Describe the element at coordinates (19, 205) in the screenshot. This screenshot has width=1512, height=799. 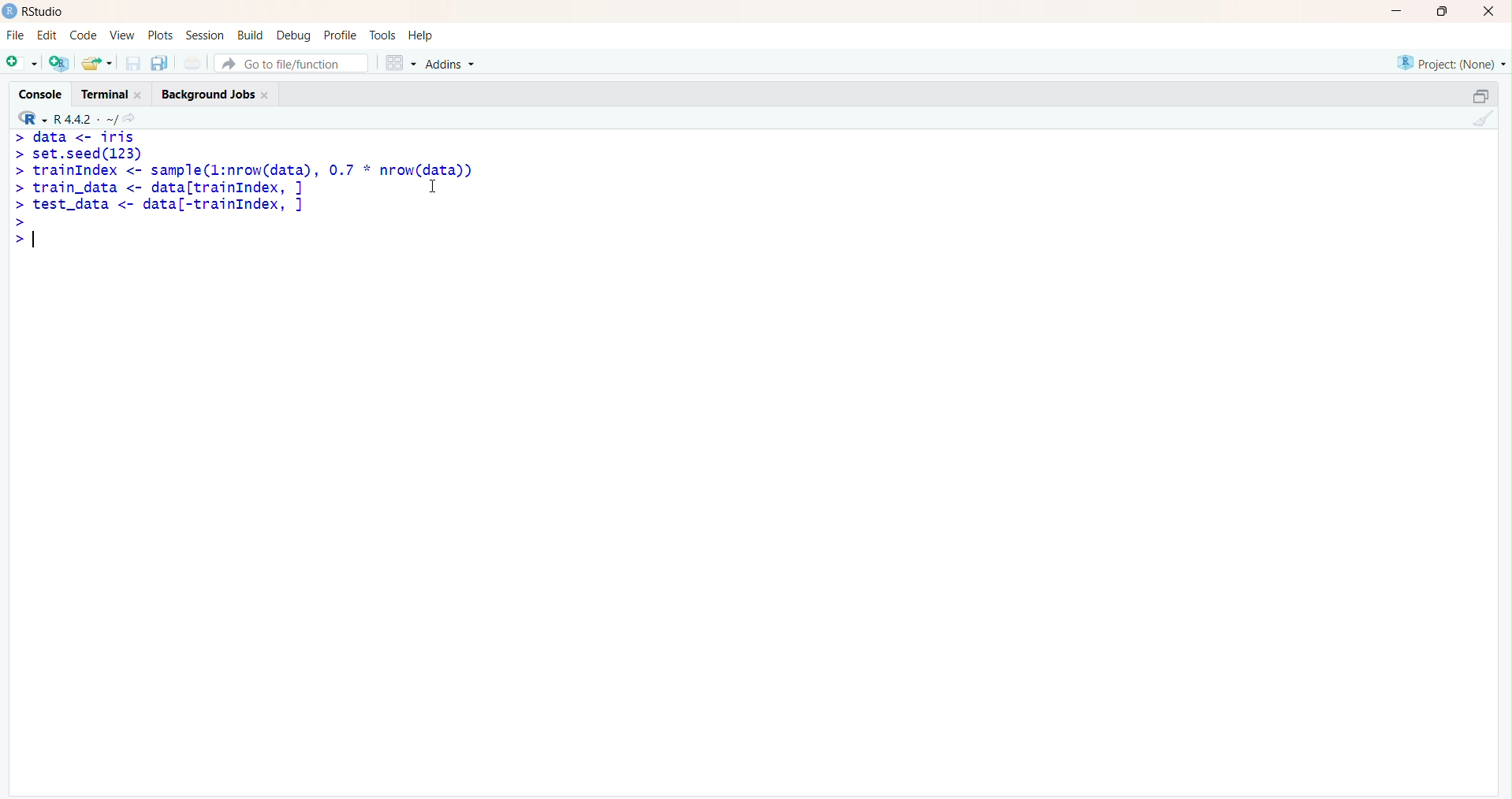
I see `Prompt cursor` at that location.